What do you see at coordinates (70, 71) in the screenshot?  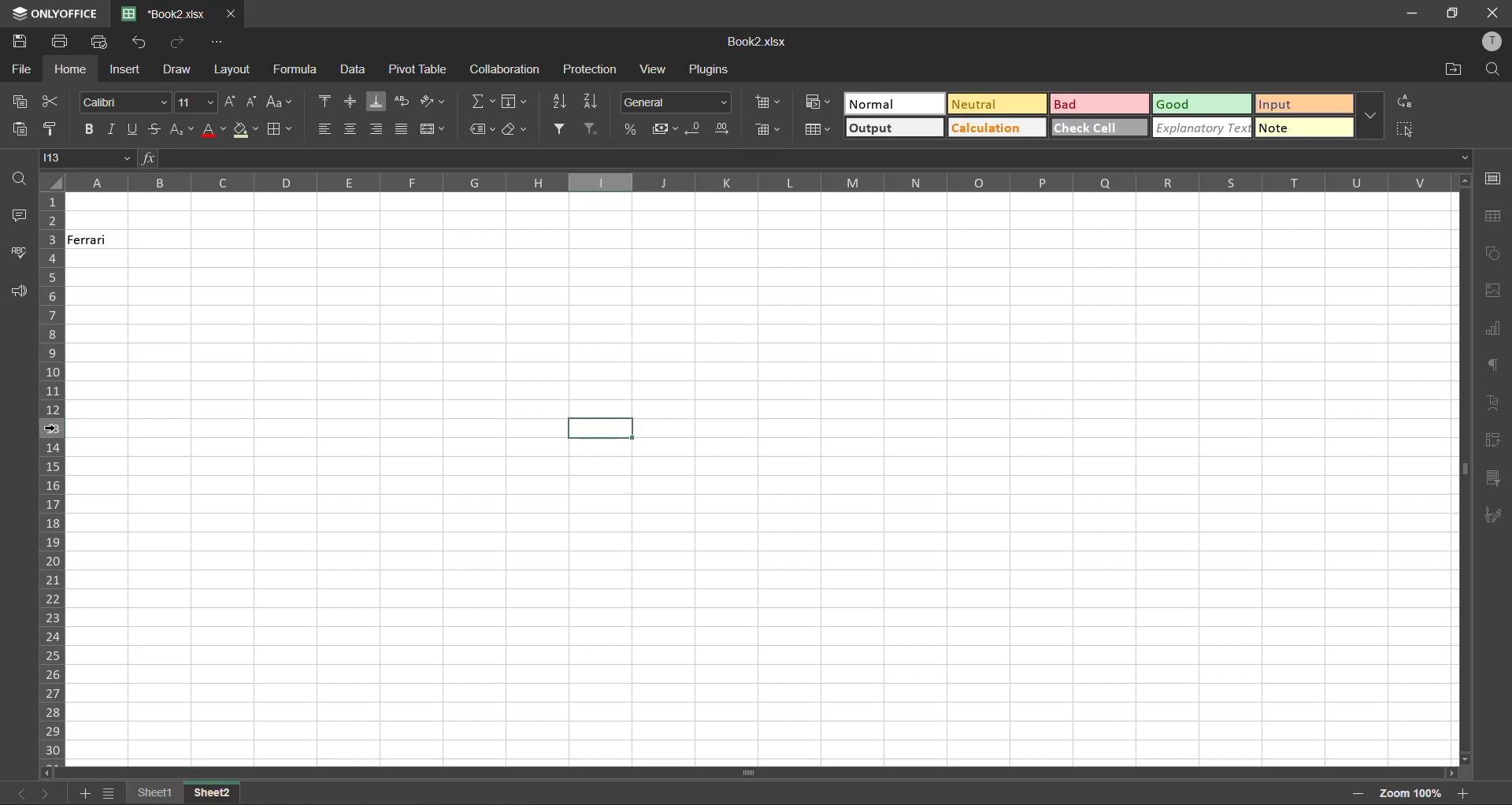 I see `home` at bounding box center [70, 71].